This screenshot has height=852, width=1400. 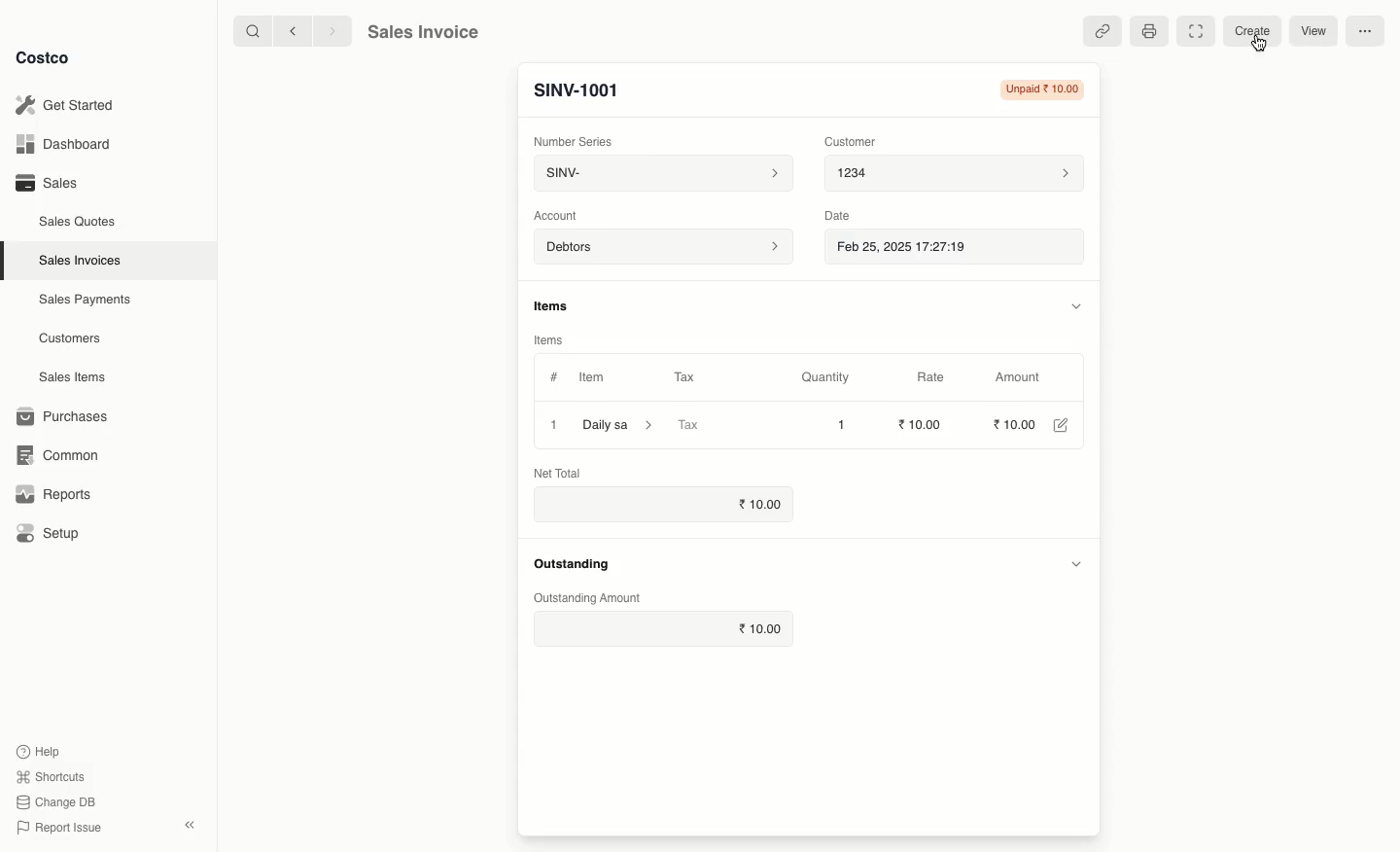 I want to click on Change DB, so click(x=57, y=801).